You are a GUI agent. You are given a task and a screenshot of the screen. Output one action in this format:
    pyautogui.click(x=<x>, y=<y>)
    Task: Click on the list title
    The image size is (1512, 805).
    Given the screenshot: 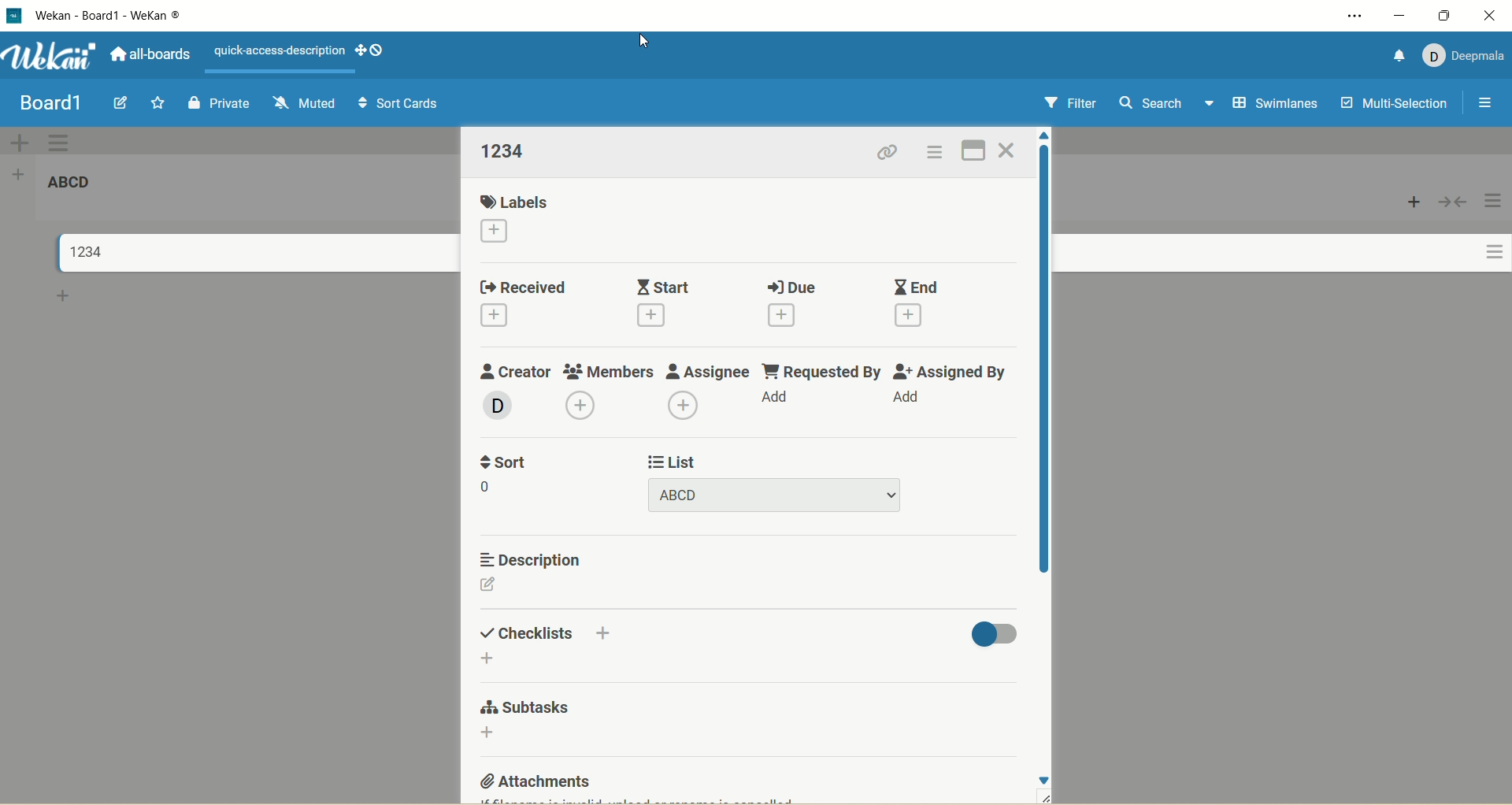 What is the action you would take?
    pyautogui.click(x=505, y=151)
    